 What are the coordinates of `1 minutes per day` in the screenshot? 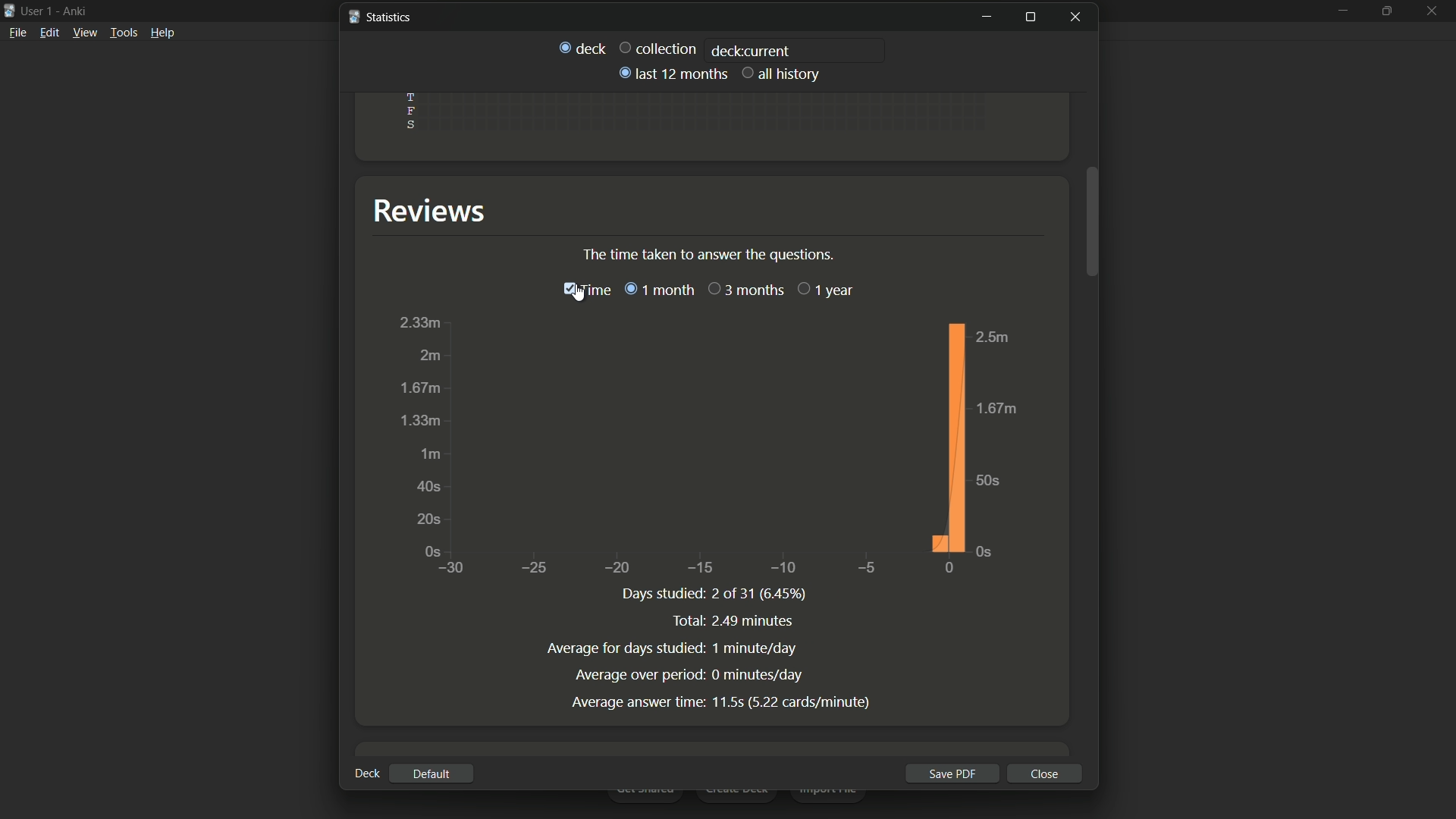 It's located at (756, 649).